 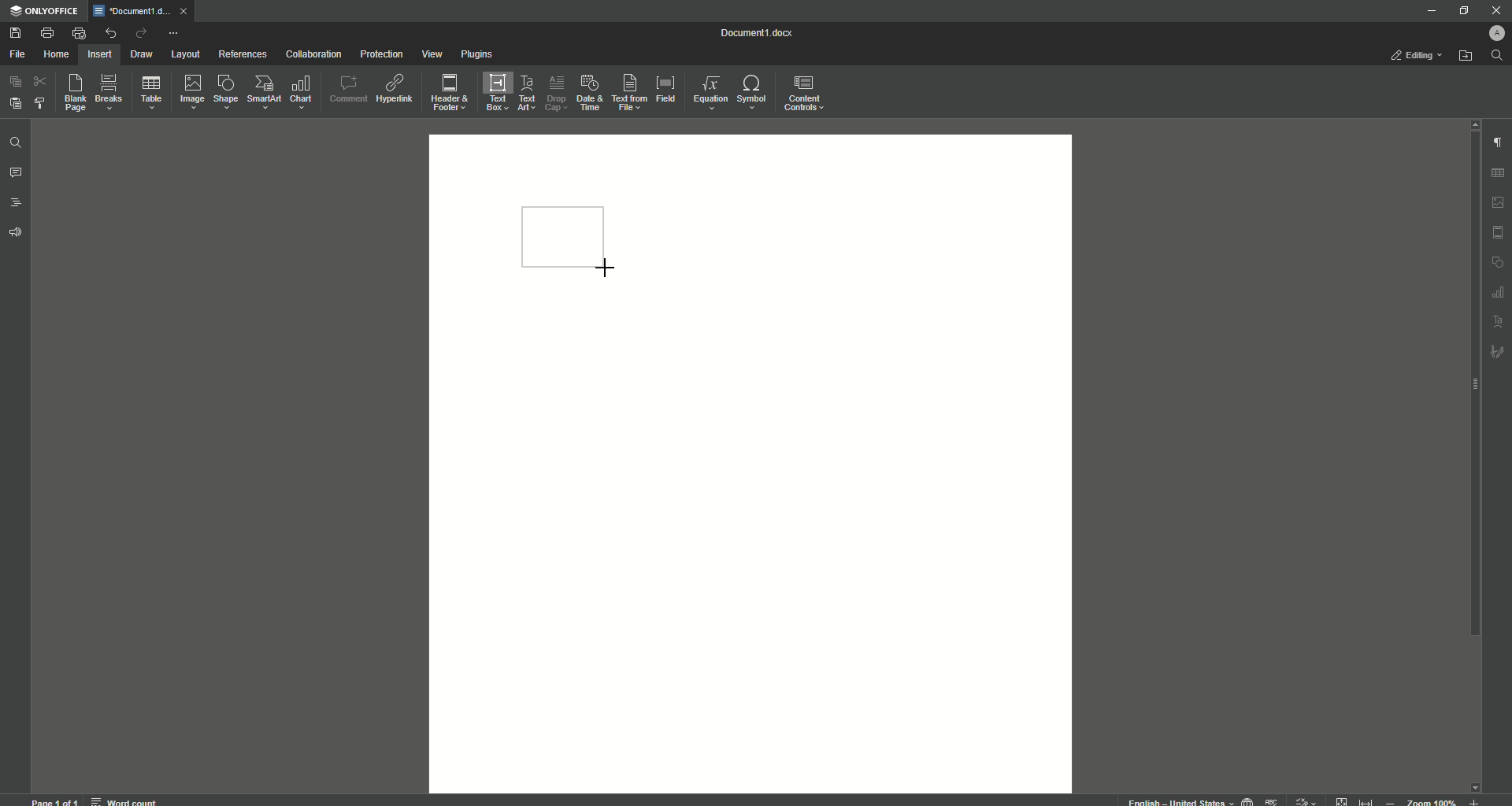 What do you see at coordinates (1343, 800) in the screenshot?
I see `fit to page` at bounding box center [1343, 800].